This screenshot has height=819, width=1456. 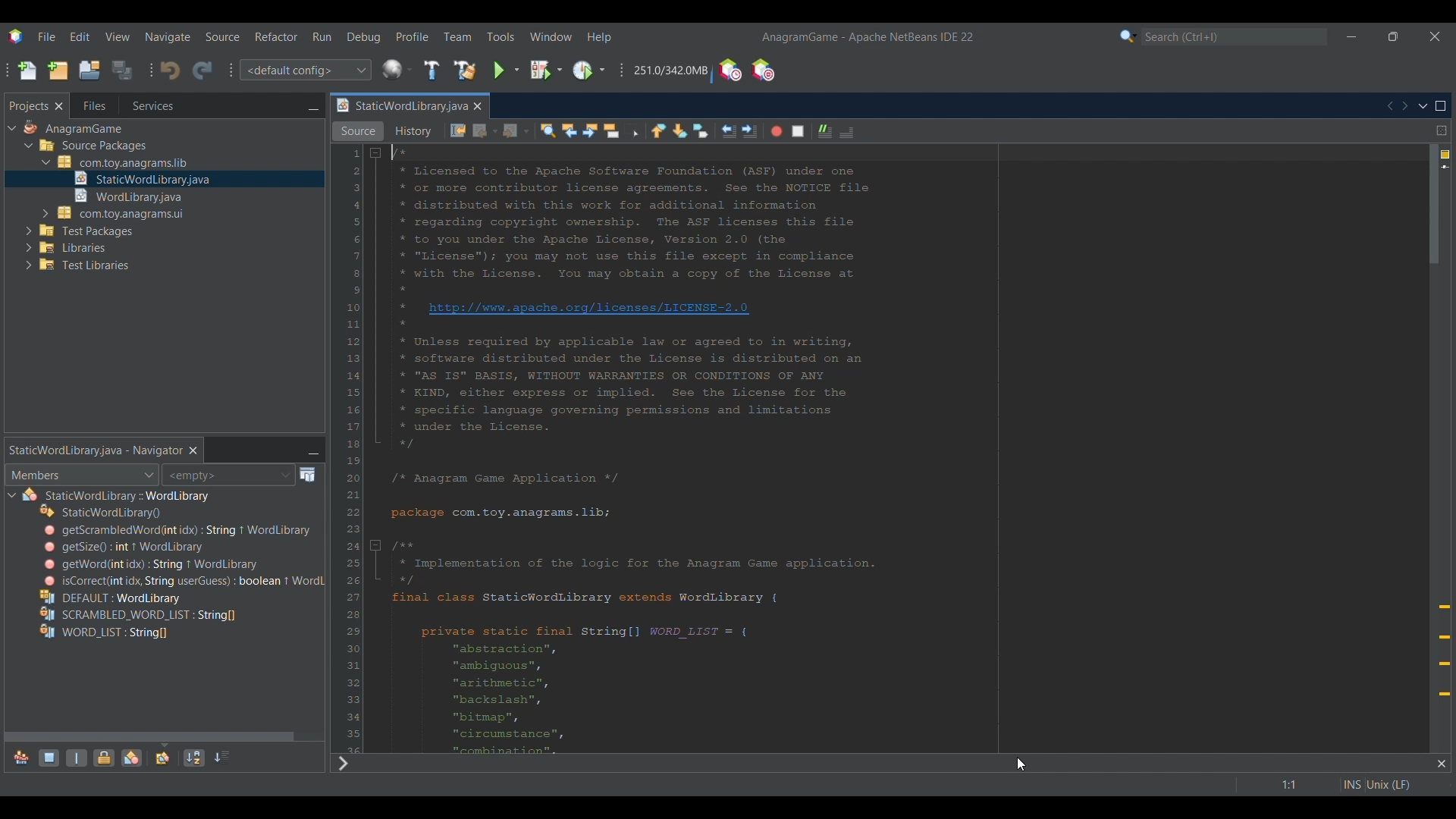 I want to click on Sort by name, so click(x=195, y=758).